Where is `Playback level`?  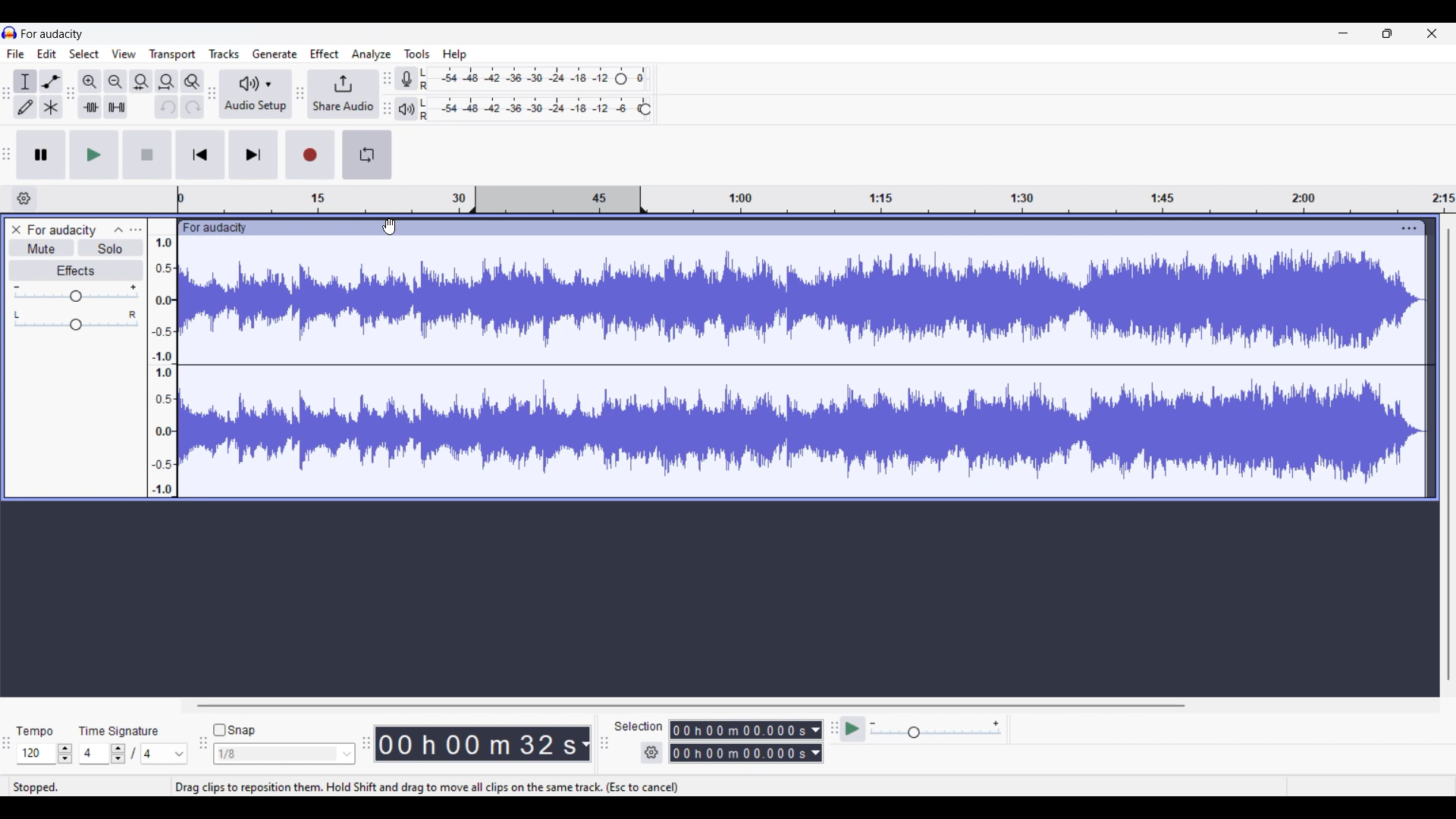
Playback level is located at coordinates (529, 109).